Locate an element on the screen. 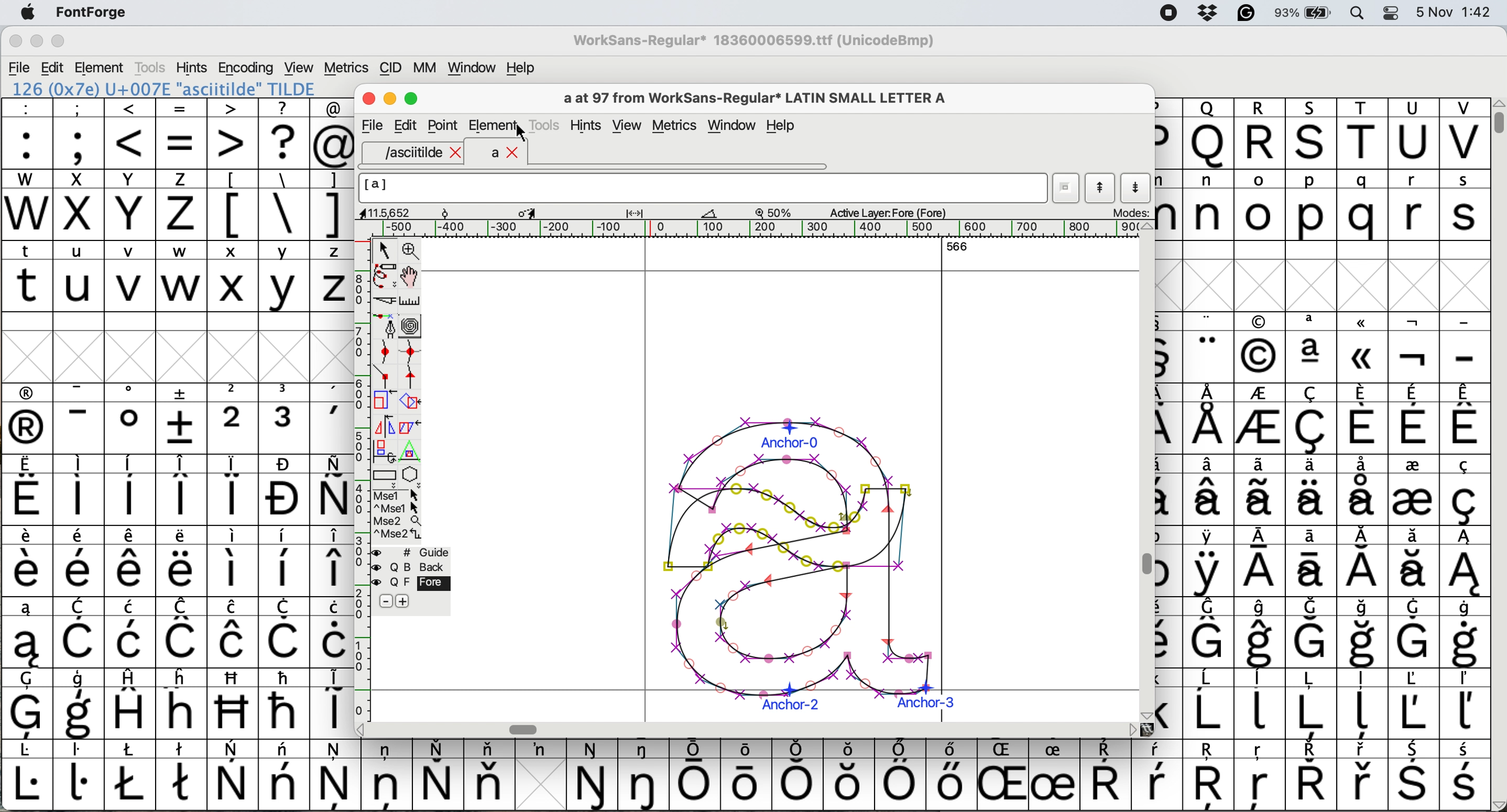 This screenshot has height=812, width=1507. mm is located at coordinates (424, 67).